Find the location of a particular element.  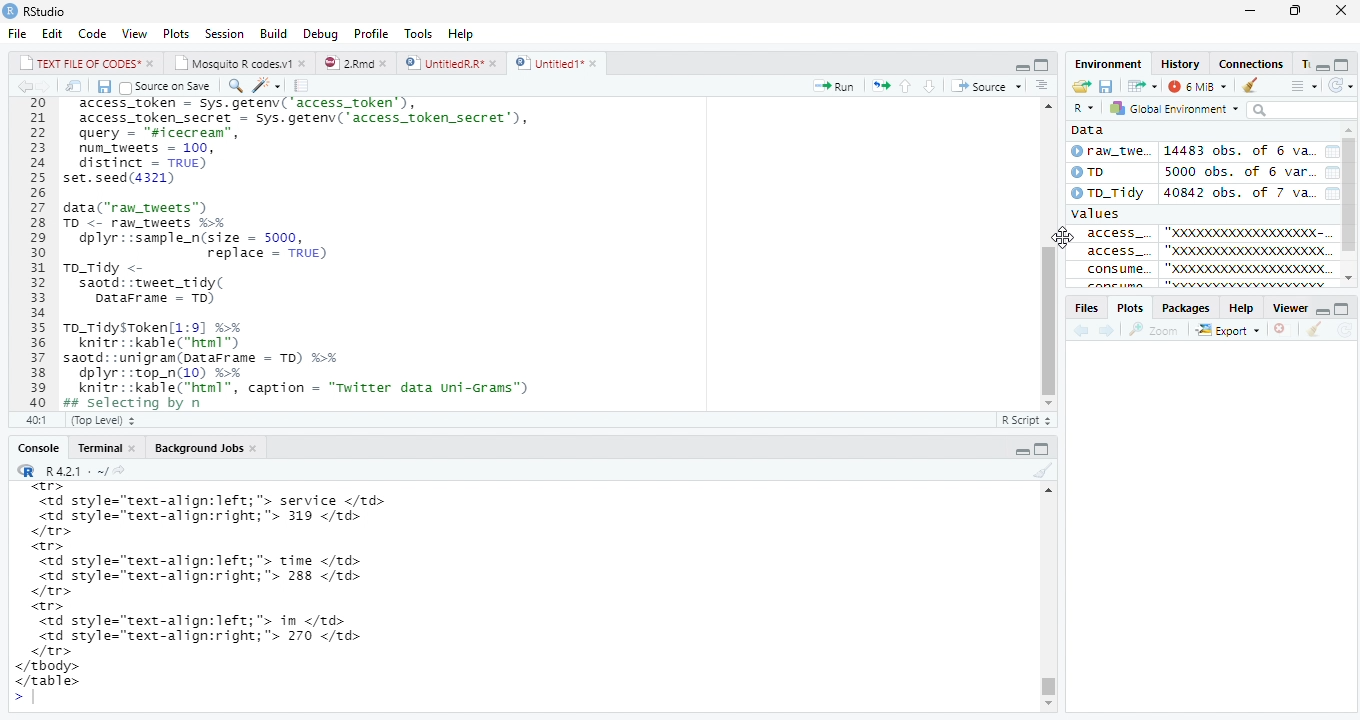

<tr>
<td style="text-align:left; "> service </td>
<td style="text-align:right;"> 319 </td>
</tr>
<tr>
<td style="text-align:left; "> time </td>
<td style="text-align:right;"> 288 </td>
</tr>
<tr>
<td style="text-align:left; "> in </td>
<td style="text-align:right;"> 270 </td>
</tr>

</tbody>

</table>

> is located at coordinates (242, 595).